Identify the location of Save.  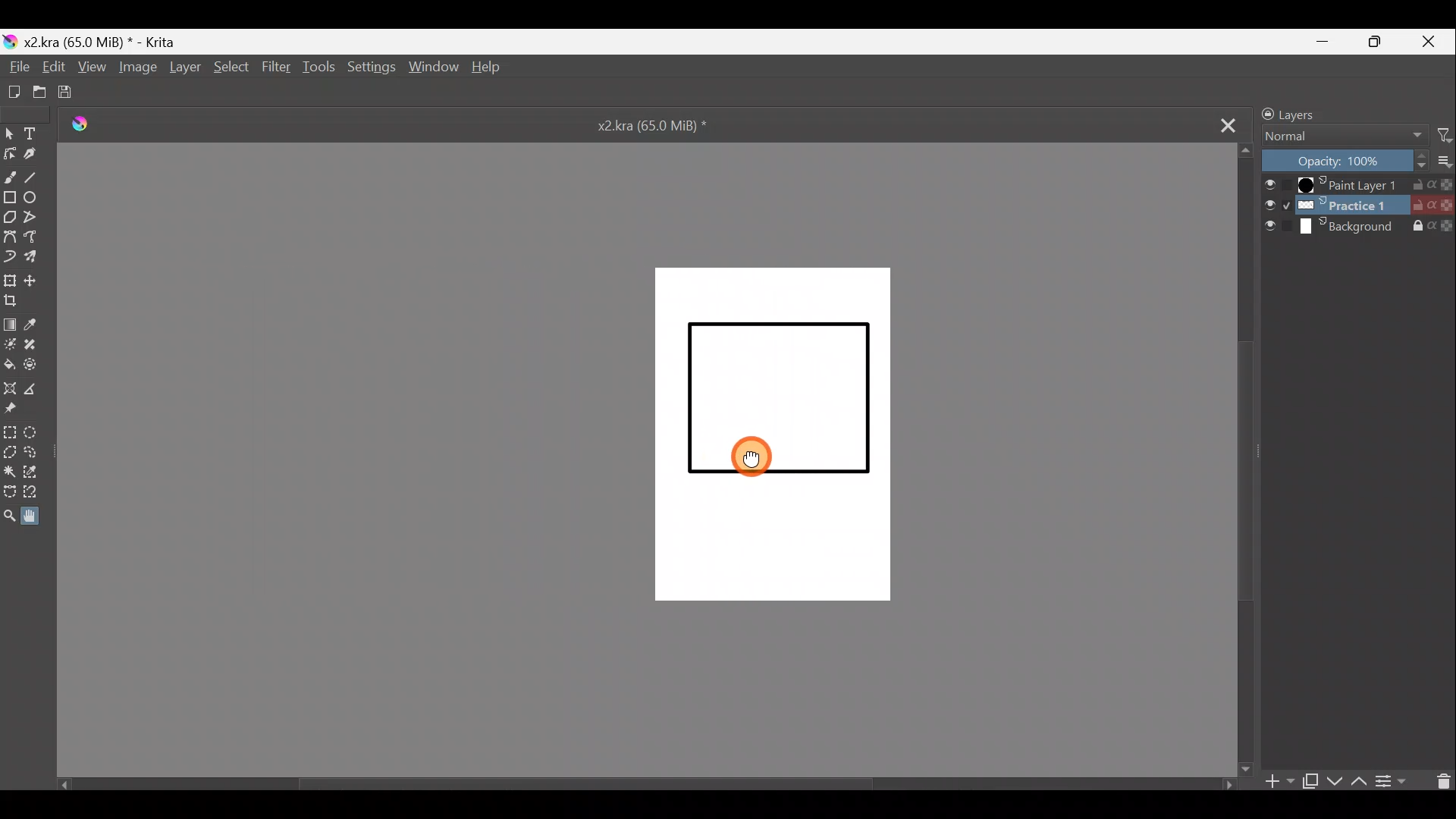
(71, 93).